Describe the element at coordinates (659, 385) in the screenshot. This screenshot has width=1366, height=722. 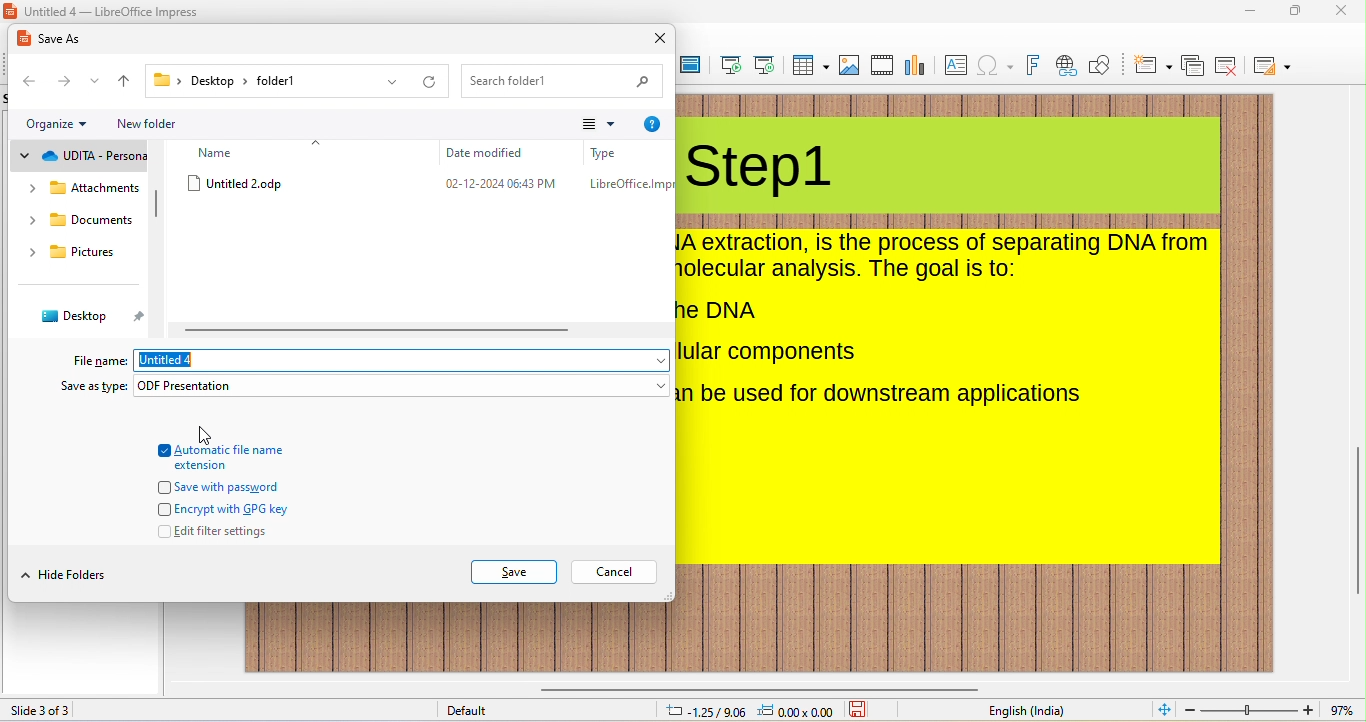
I see `drop down` at that location.